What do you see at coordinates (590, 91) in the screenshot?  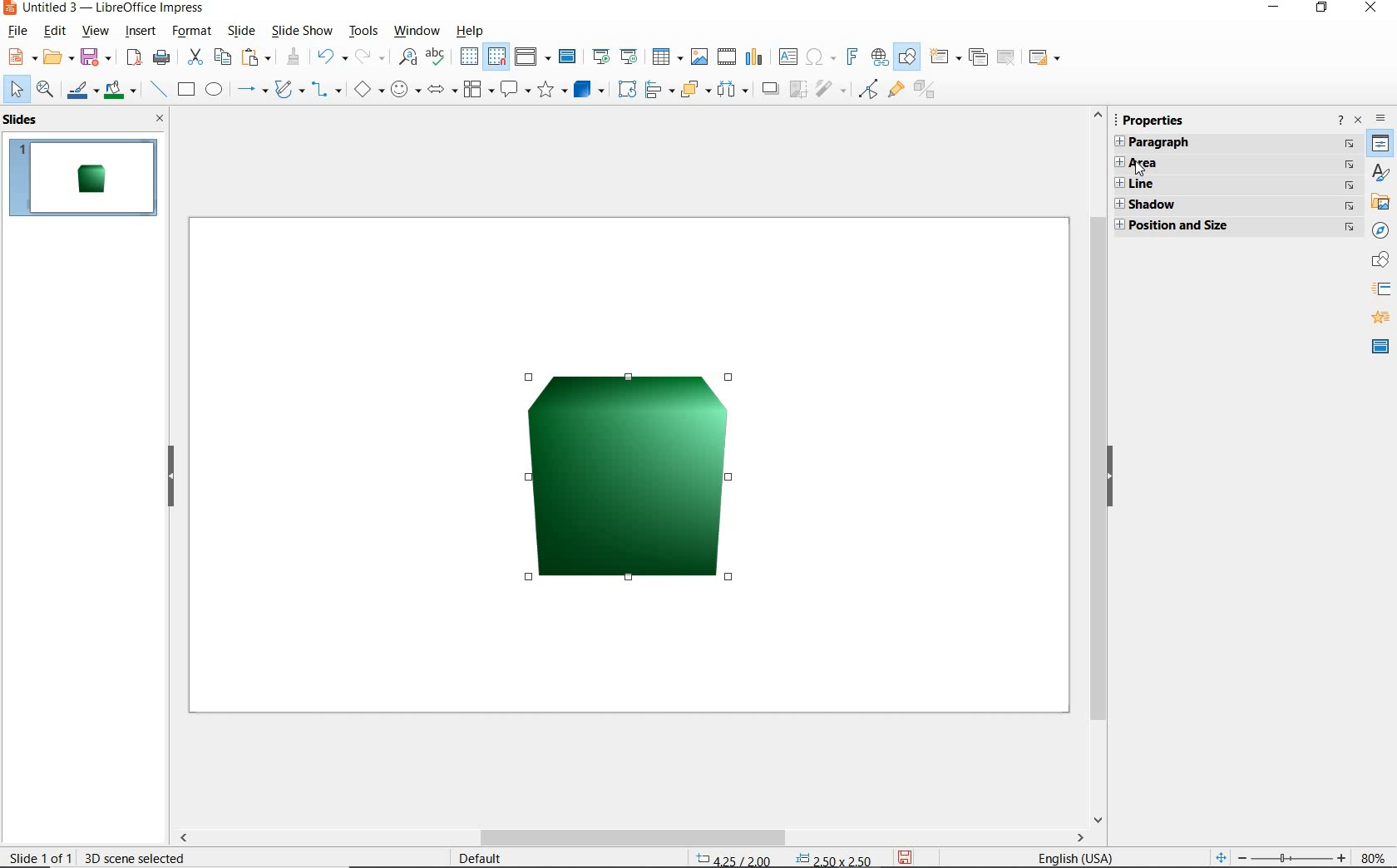 I see `3D Objects` at bounding box center [590, 91].